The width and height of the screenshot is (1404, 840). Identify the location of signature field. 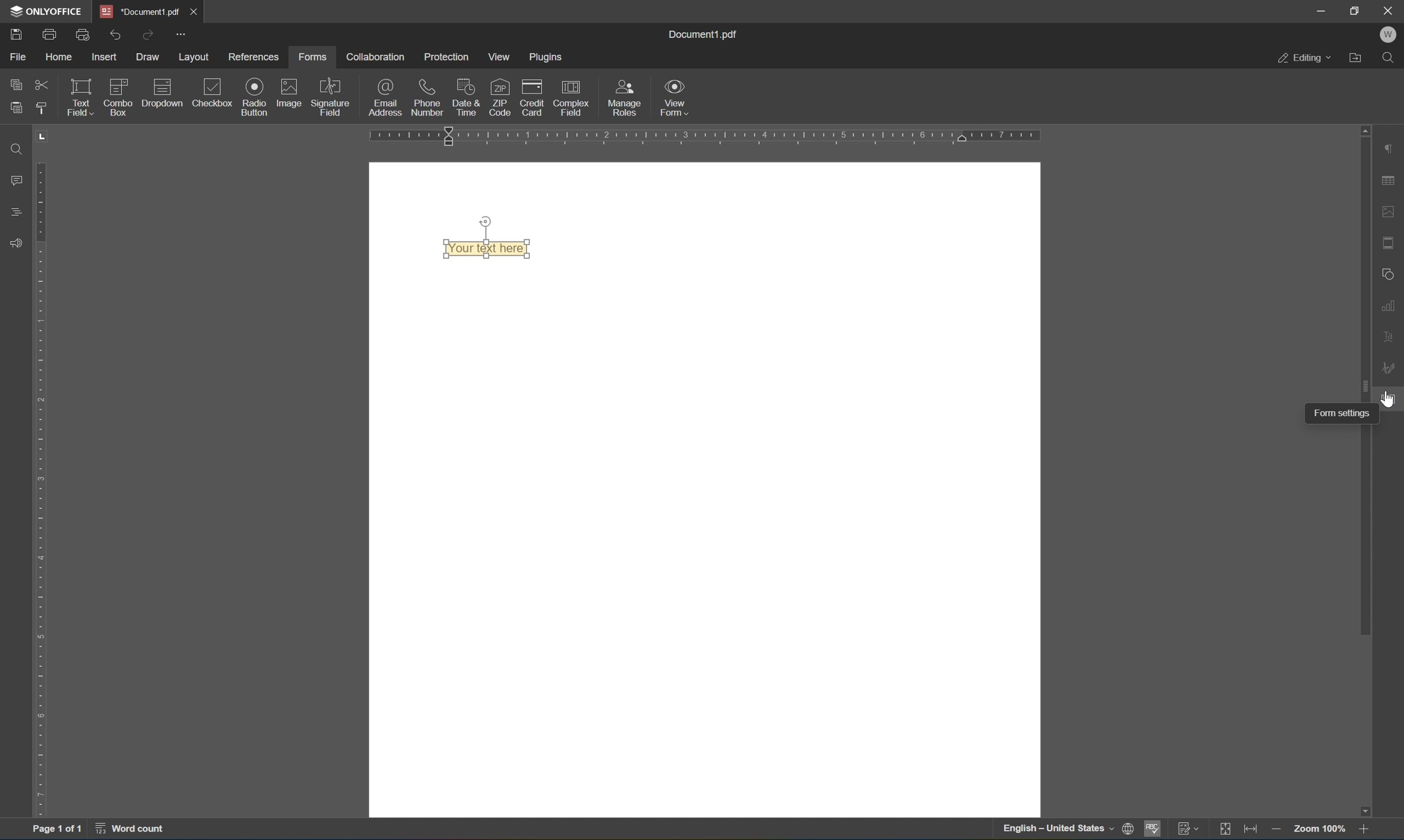
(331, 97).